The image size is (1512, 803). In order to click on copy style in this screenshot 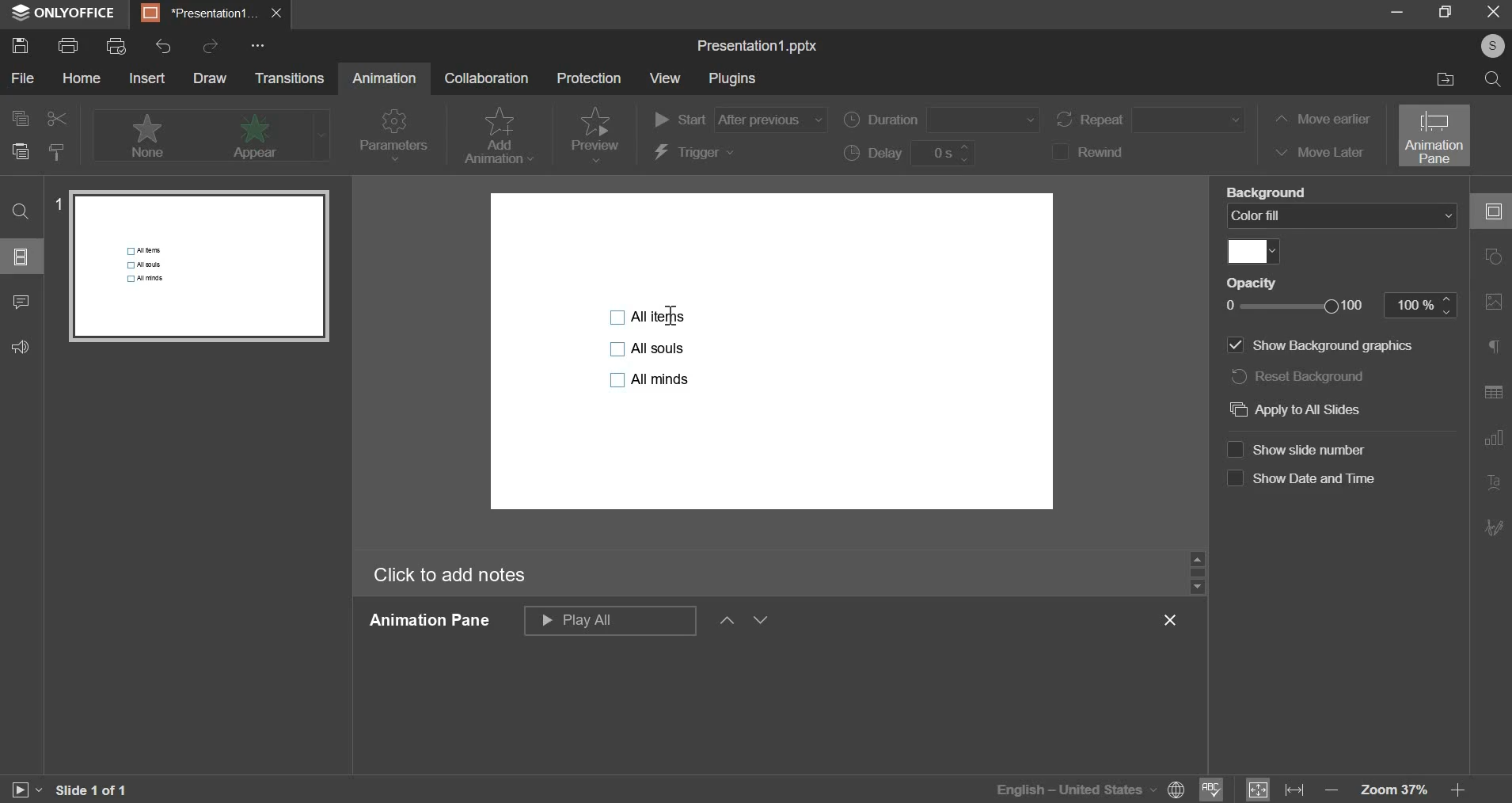, I will do `click(59, 151)`.